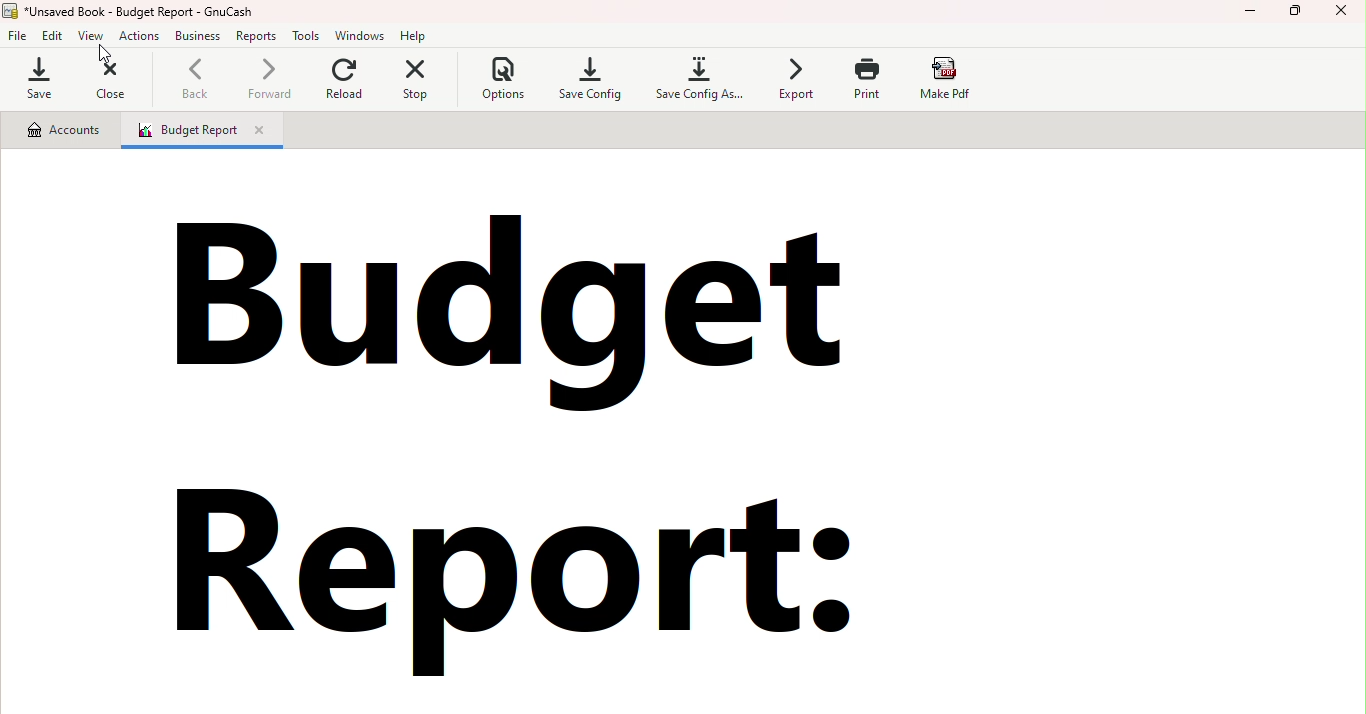  What do you see at coordinates (1251, 16) in the screenshot?
I see `Minimize` at bounding box center [1251, 16].